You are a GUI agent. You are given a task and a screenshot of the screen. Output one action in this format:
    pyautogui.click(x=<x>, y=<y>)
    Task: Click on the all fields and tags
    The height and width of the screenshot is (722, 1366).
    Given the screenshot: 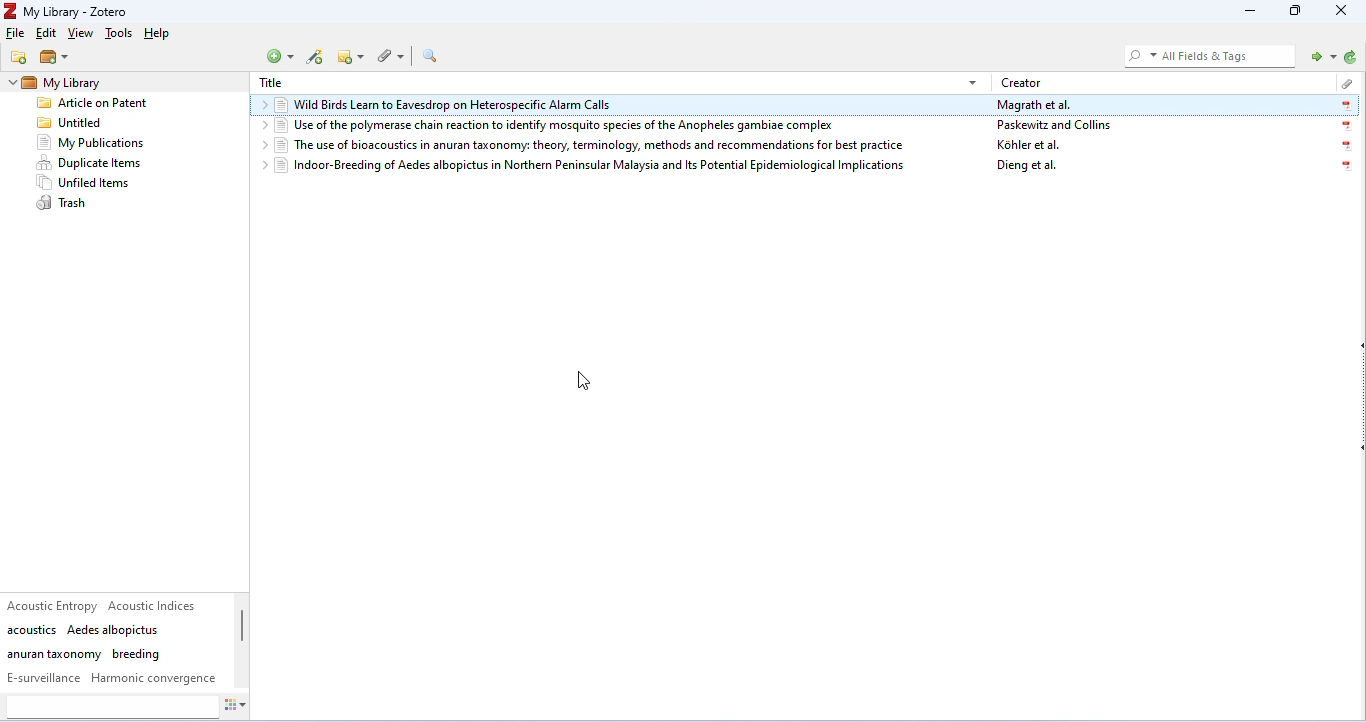 What is the action you would take?
    pyautogui.click(x=1207, y=55)
    